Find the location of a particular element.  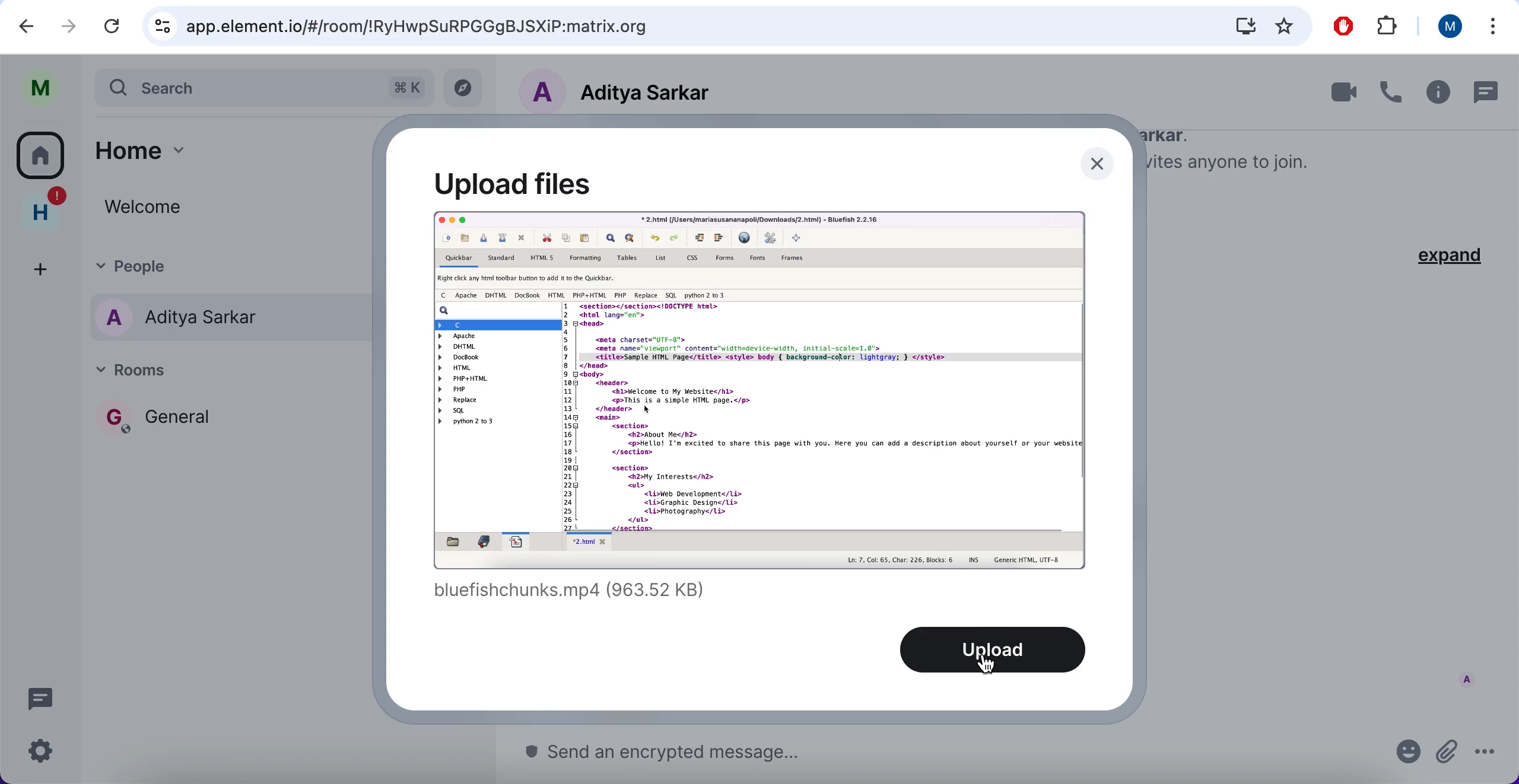

attach is located at coordinates (1447, 754).